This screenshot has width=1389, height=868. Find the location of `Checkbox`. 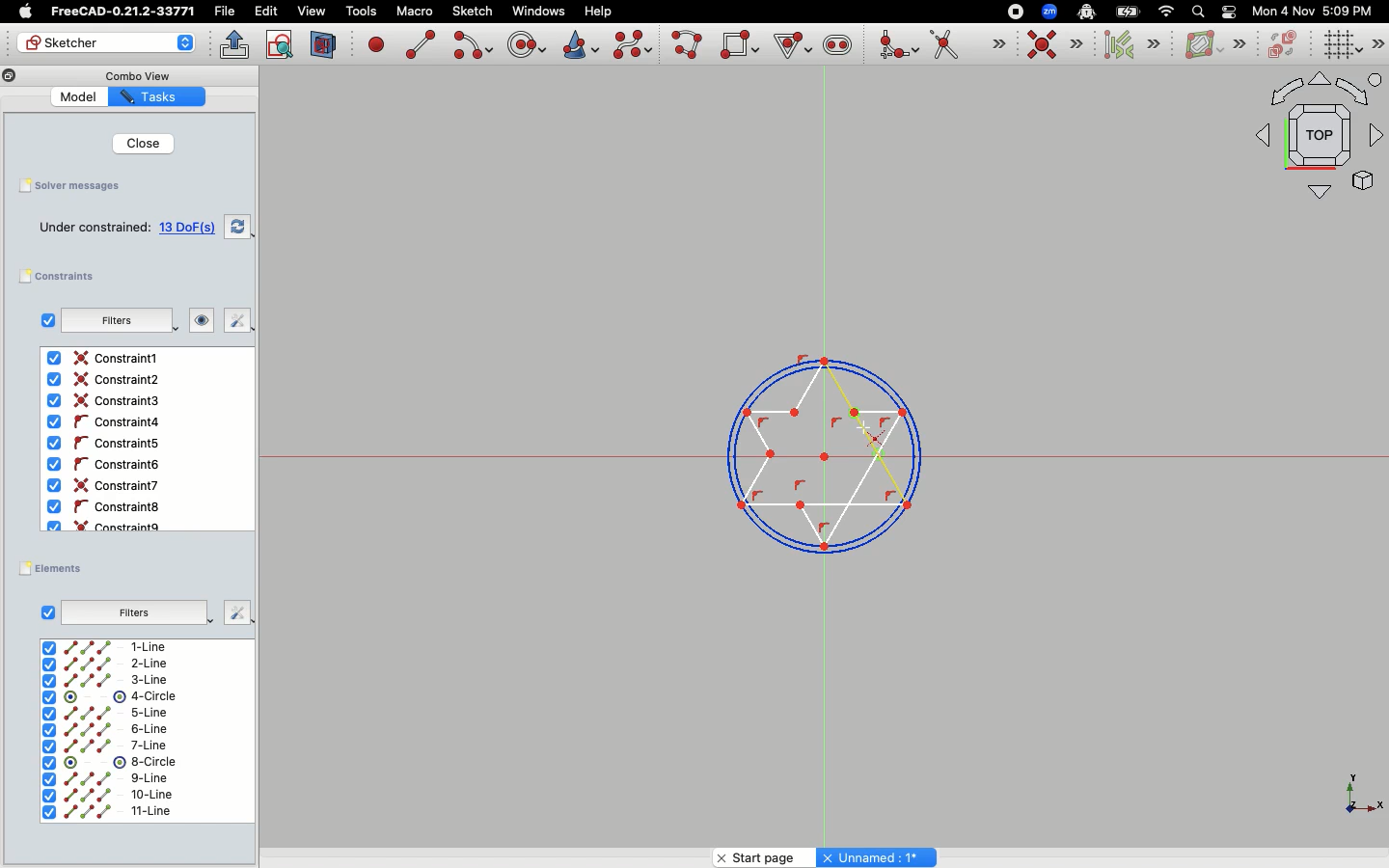

Checkbox is located at coordinates (43, 320).